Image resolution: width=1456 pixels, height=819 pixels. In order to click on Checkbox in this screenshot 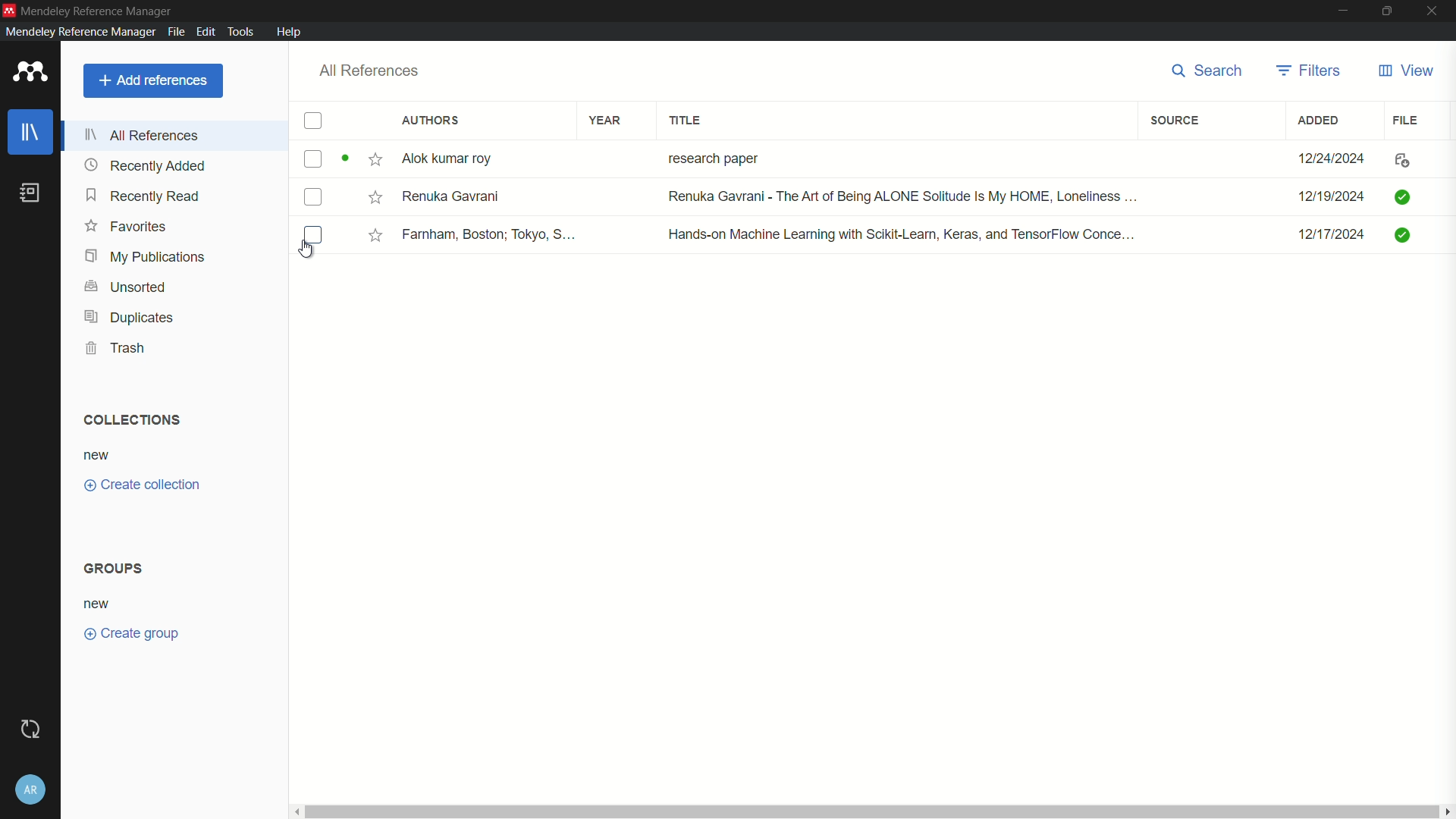, I will do `click(318, 199)`.